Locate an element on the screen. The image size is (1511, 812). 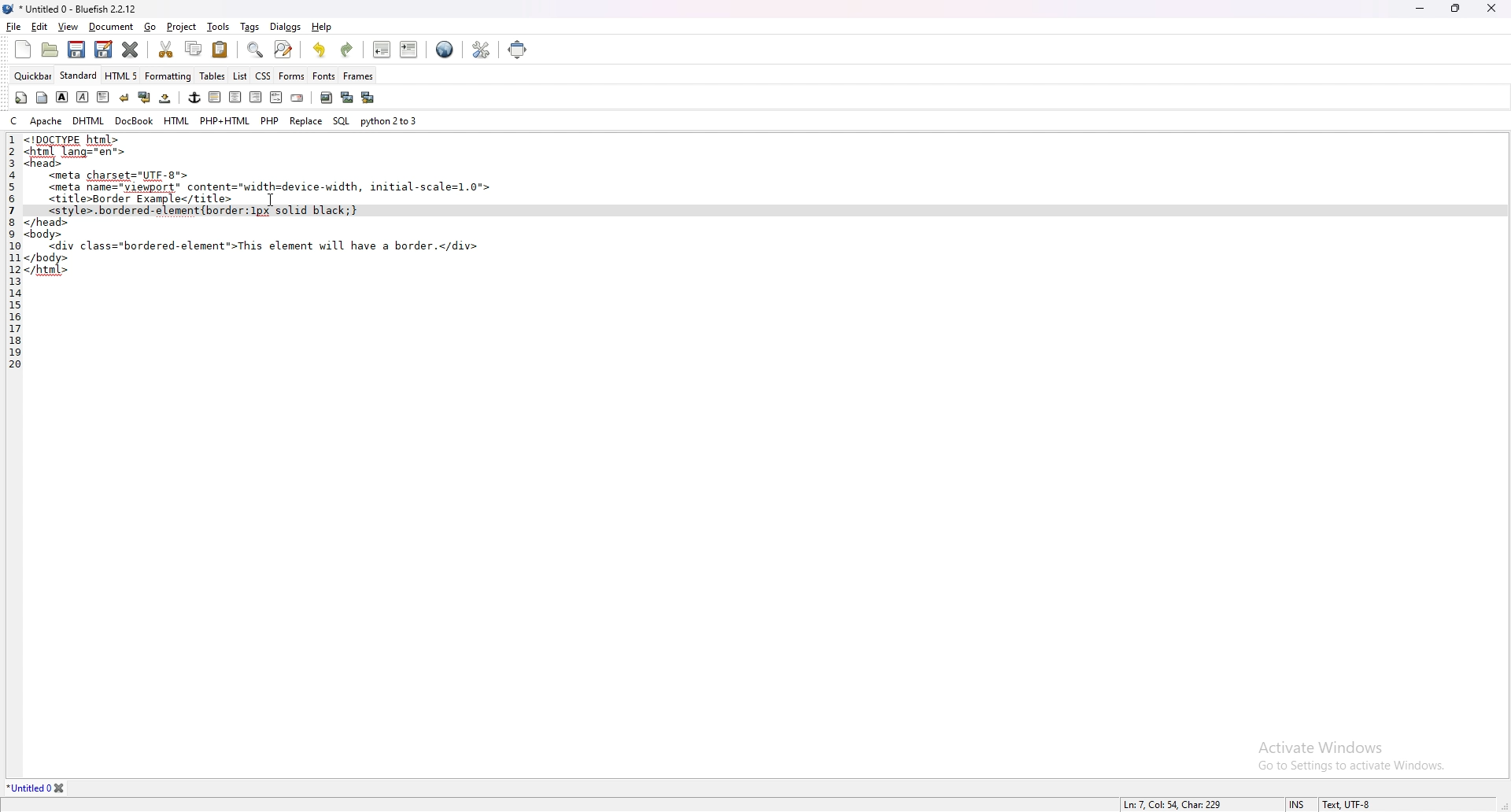
full screen is located at coordinates (518, 49).